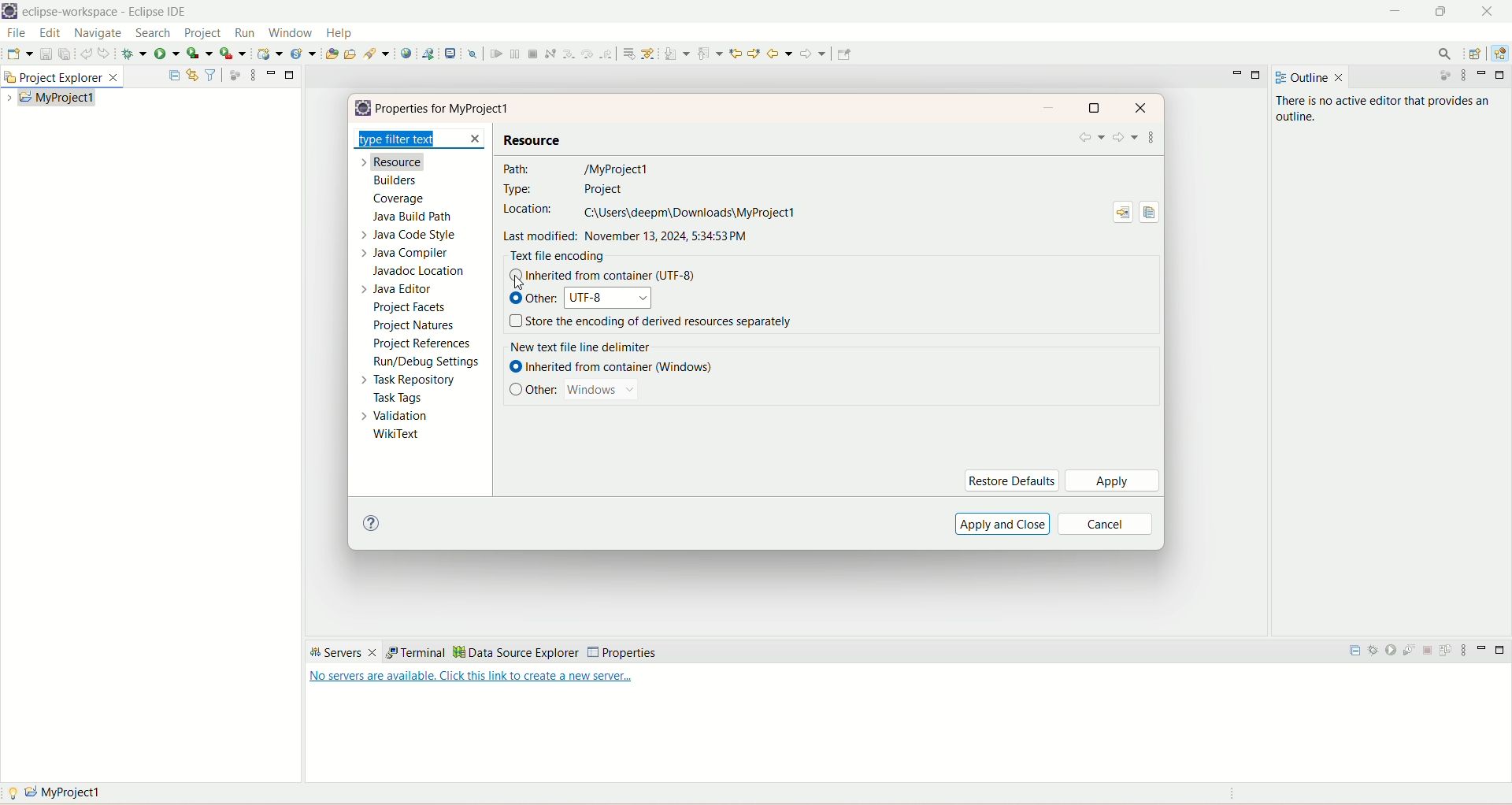 The height and width of the screenshot is (805, 1512). I want to click on filter, so click(209, 75).